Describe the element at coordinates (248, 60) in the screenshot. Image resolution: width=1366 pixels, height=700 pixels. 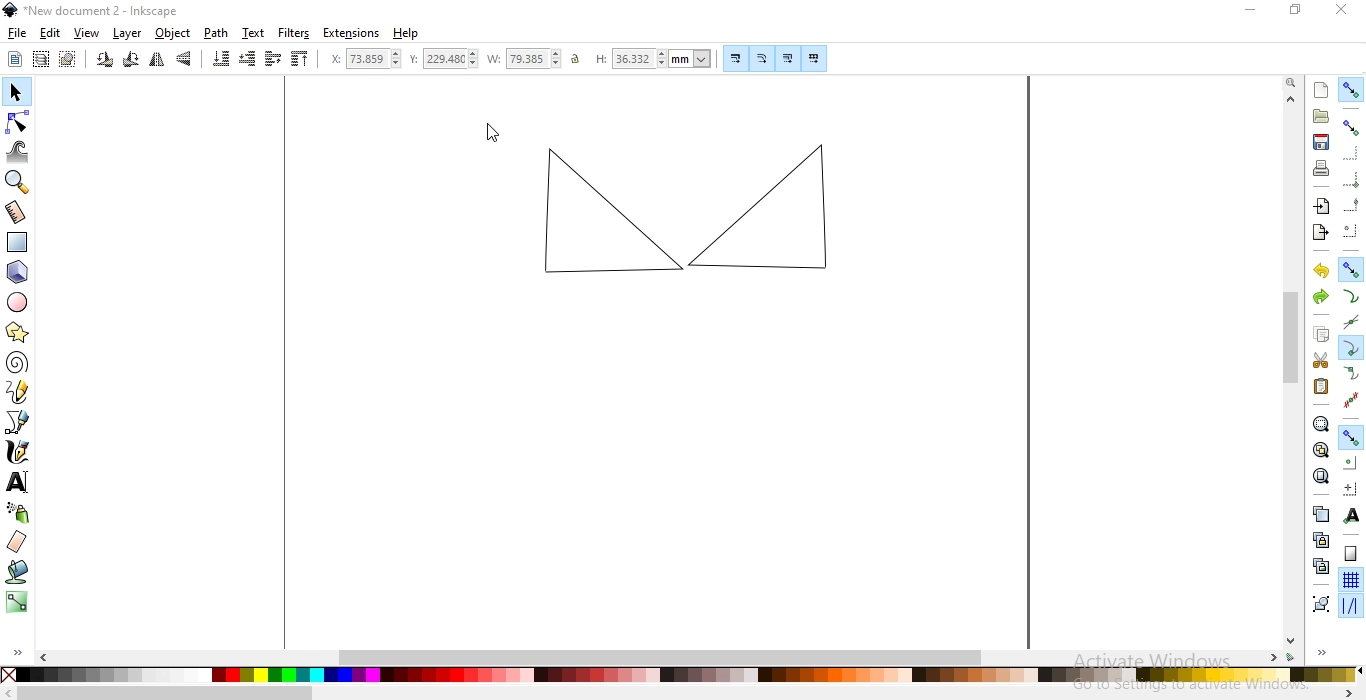
I see `lower selection one step` at that location.